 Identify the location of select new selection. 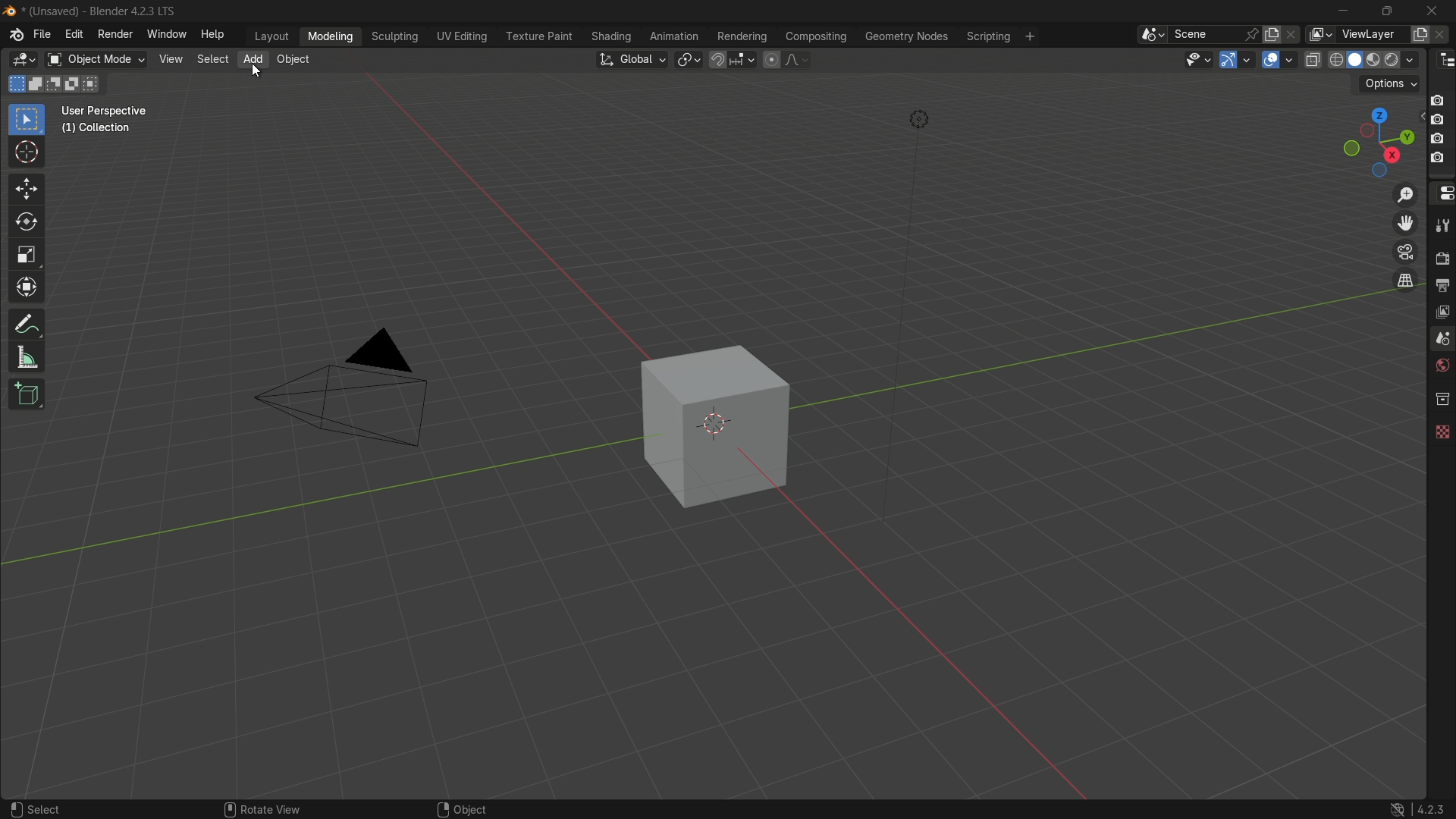
(16, 83).